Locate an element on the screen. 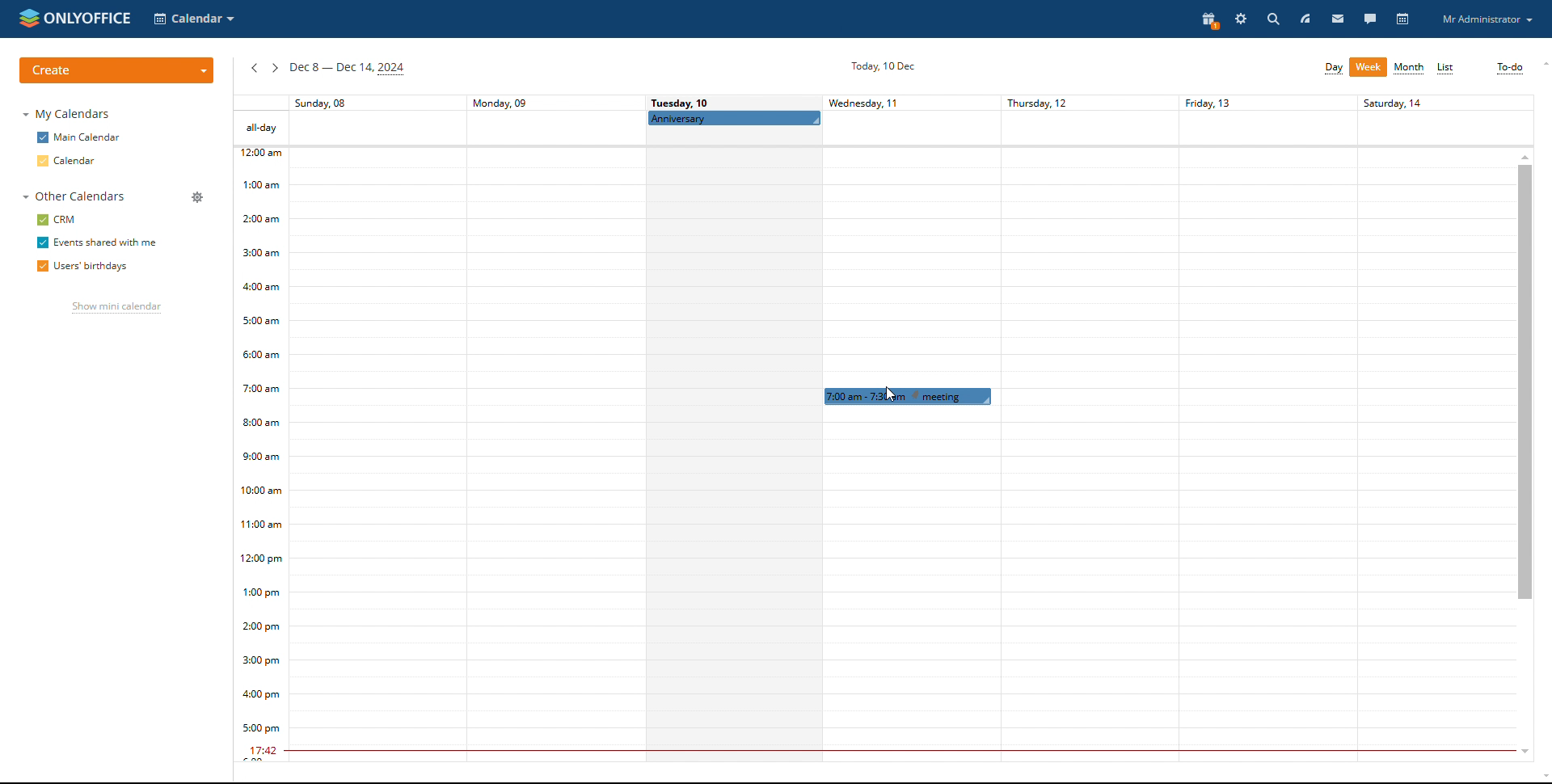  schedule for a day is located at coordinates (736, 456).